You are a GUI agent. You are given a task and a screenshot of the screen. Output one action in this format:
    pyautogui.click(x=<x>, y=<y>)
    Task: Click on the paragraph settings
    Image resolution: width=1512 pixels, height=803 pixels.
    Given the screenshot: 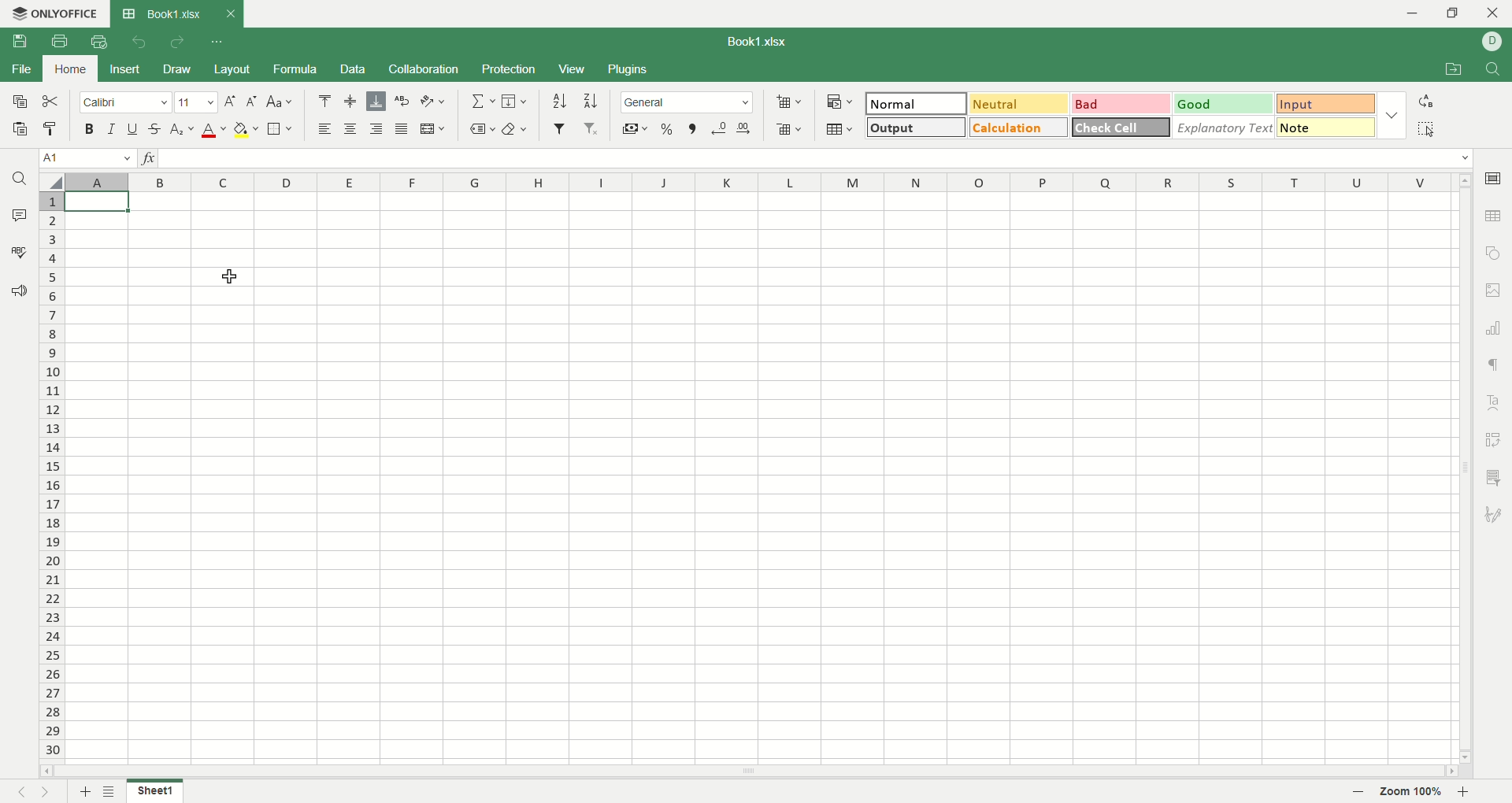 What is the action you would take?
    pyautogui.click(x=1492, y=364)
    